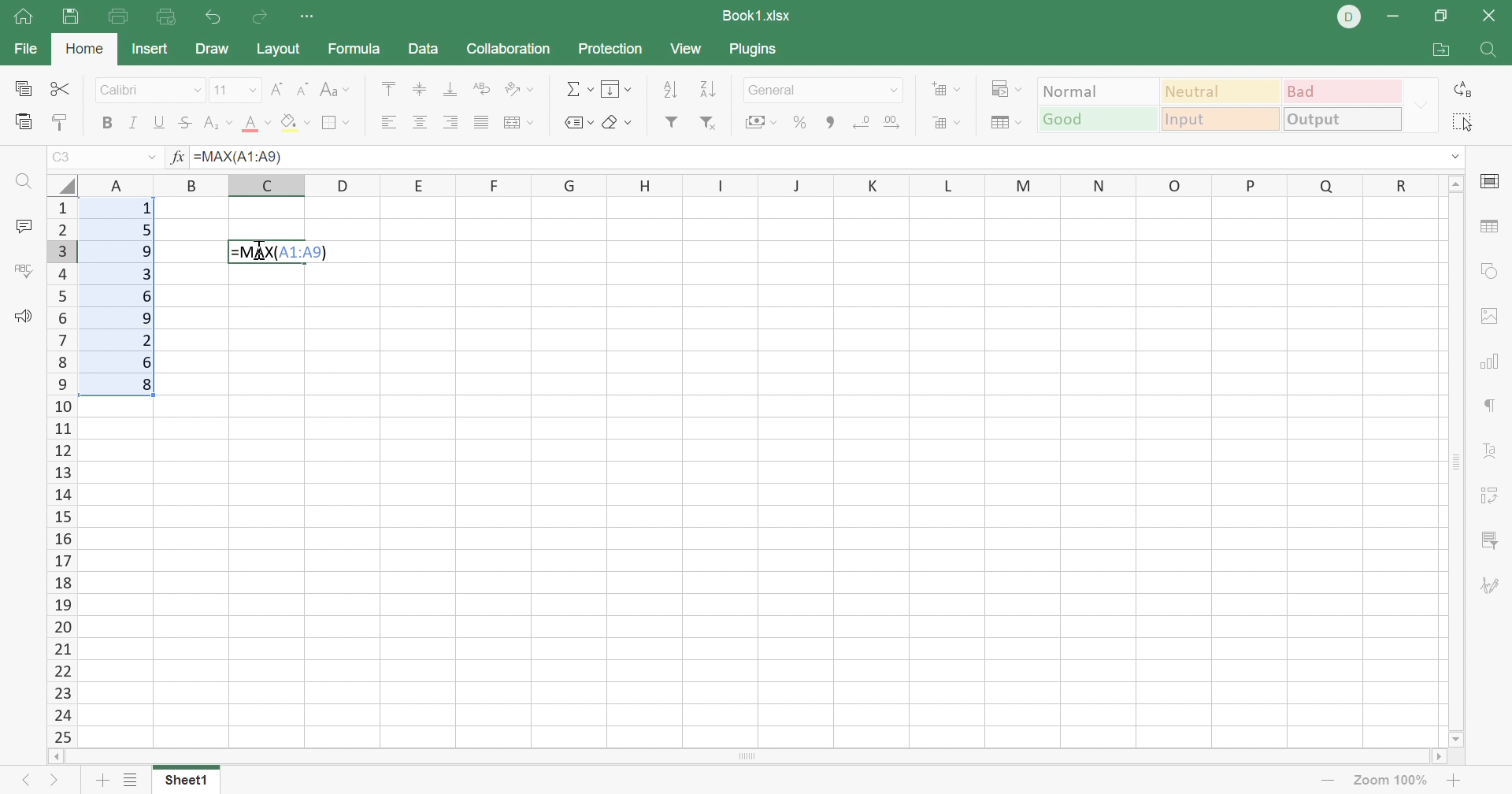 The width and height of the screenshot is (1512, 794). I want to click on Change case, so click(336, 92).